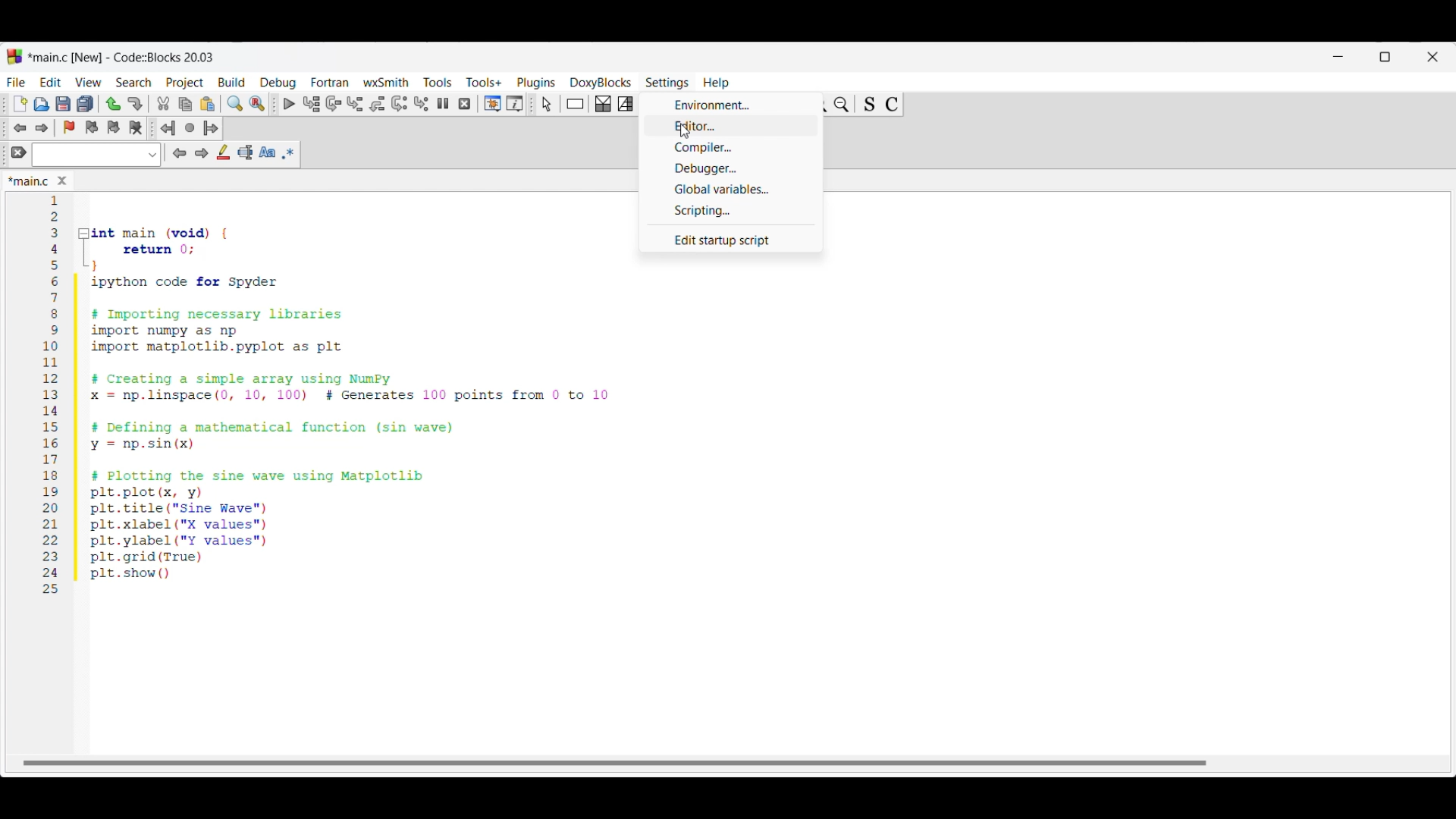 The width and height of the screenshot is (1456, 819). I want to click on Previous, so click(180, 153).